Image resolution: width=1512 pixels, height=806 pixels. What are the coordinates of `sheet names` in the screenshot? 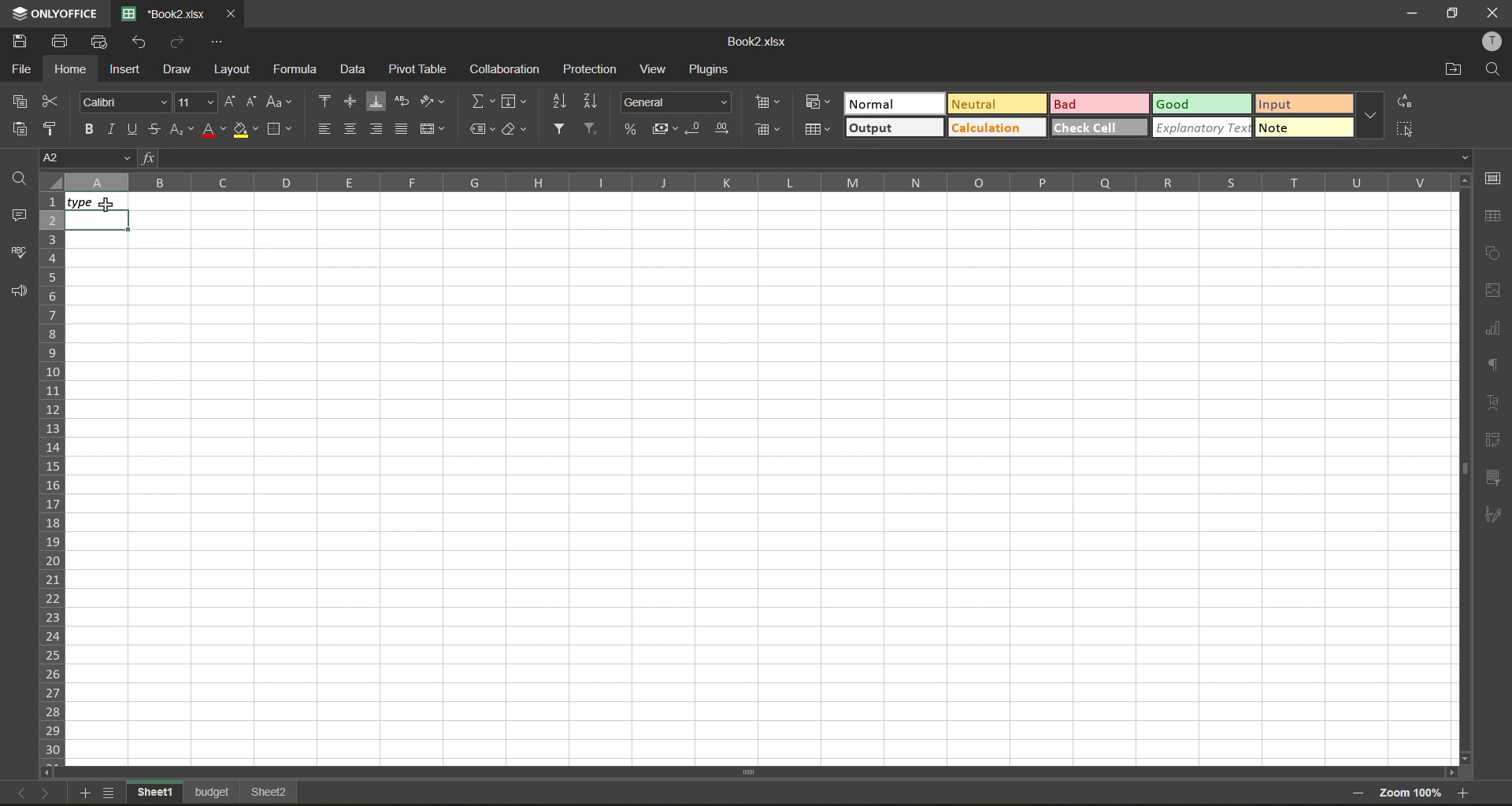 It's located at (216, 792).